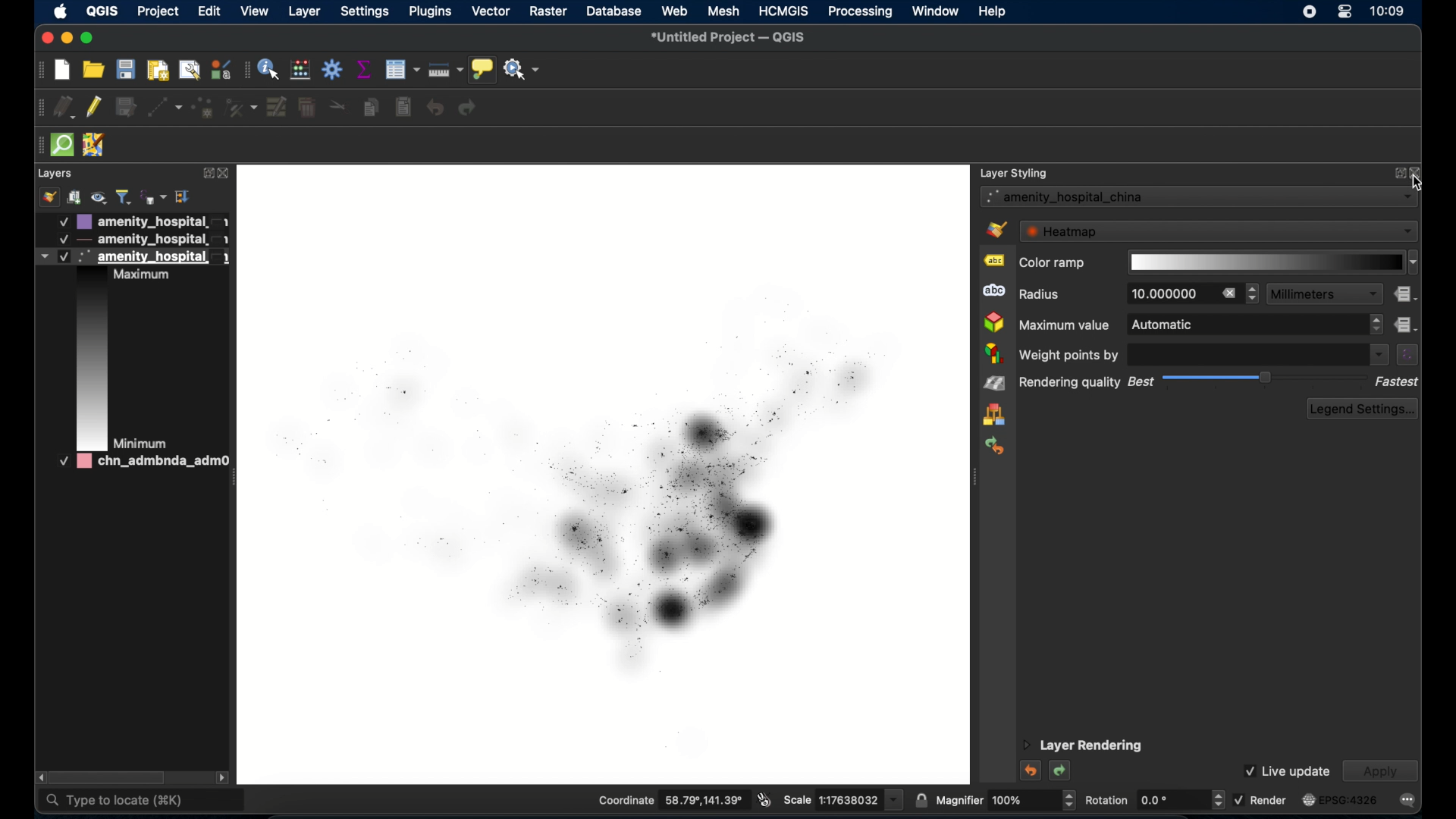 The width and height of the screenshot is (1456, 819). I want to click on measure line, so click(446, 69).